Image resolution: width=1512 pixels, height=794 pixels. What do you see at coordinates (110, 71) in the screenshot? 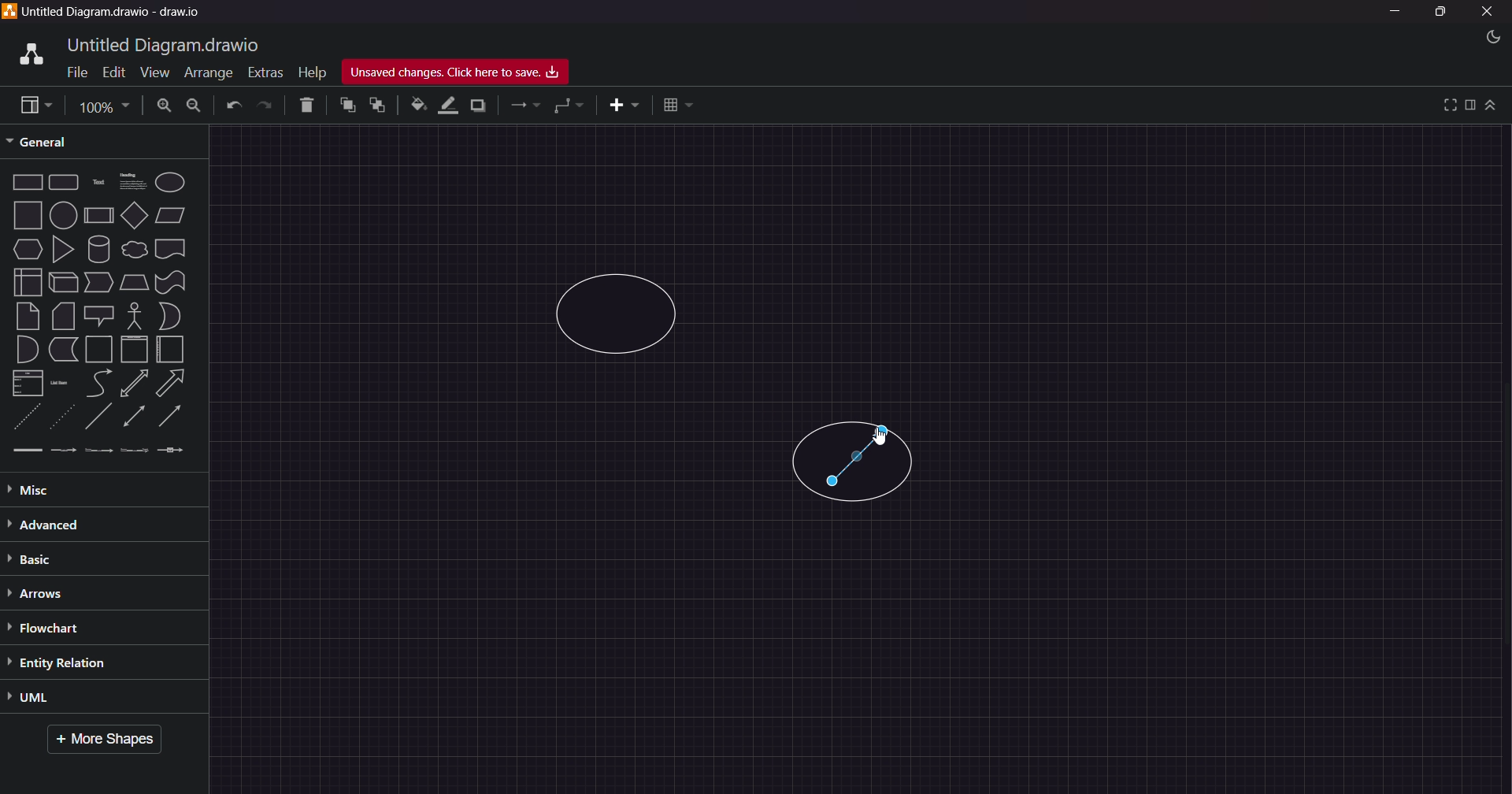
I see `Edit` at bounding box center [110, 71].